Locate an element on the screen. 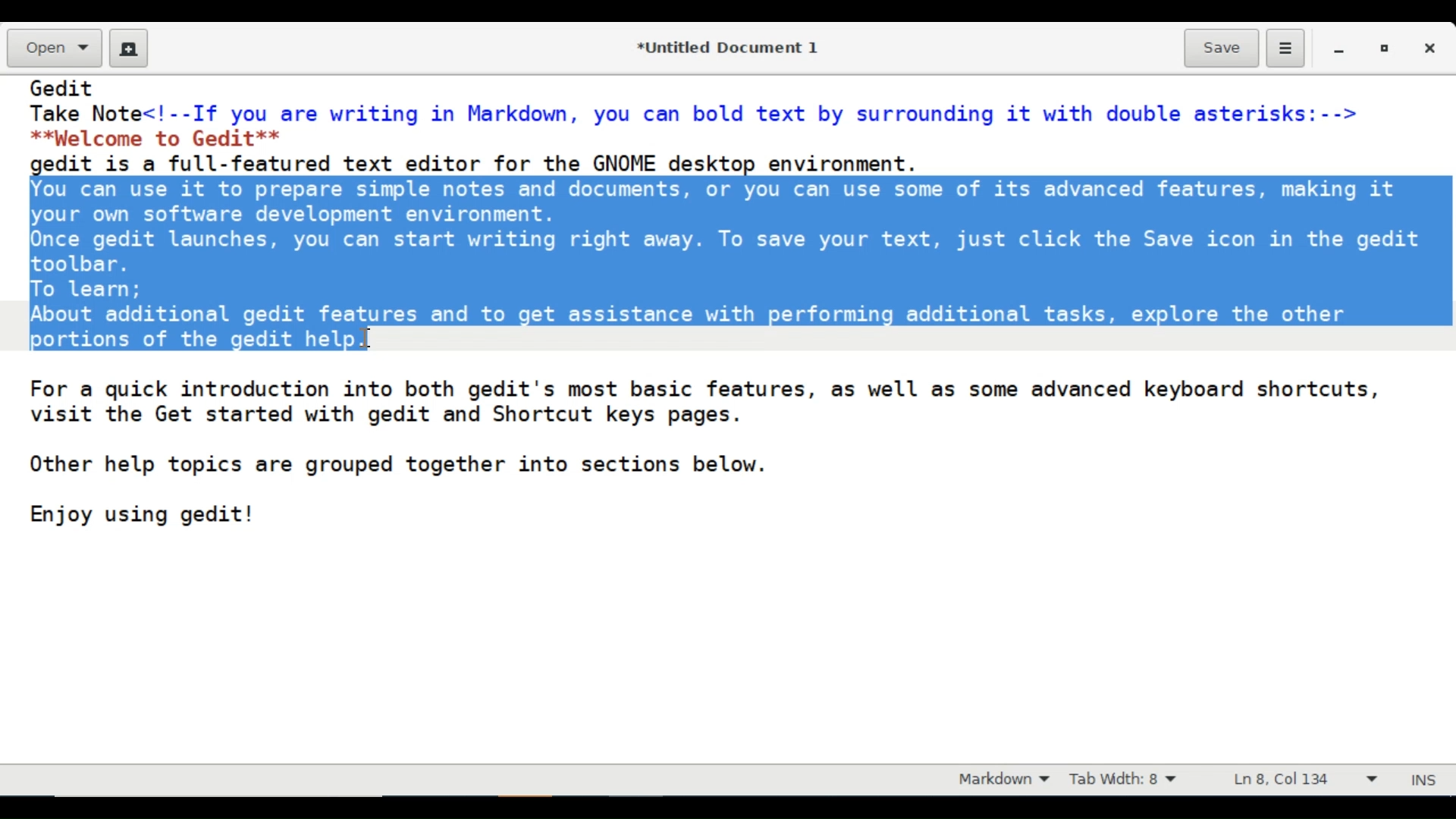  Save is located at coordinates (1222, 47).